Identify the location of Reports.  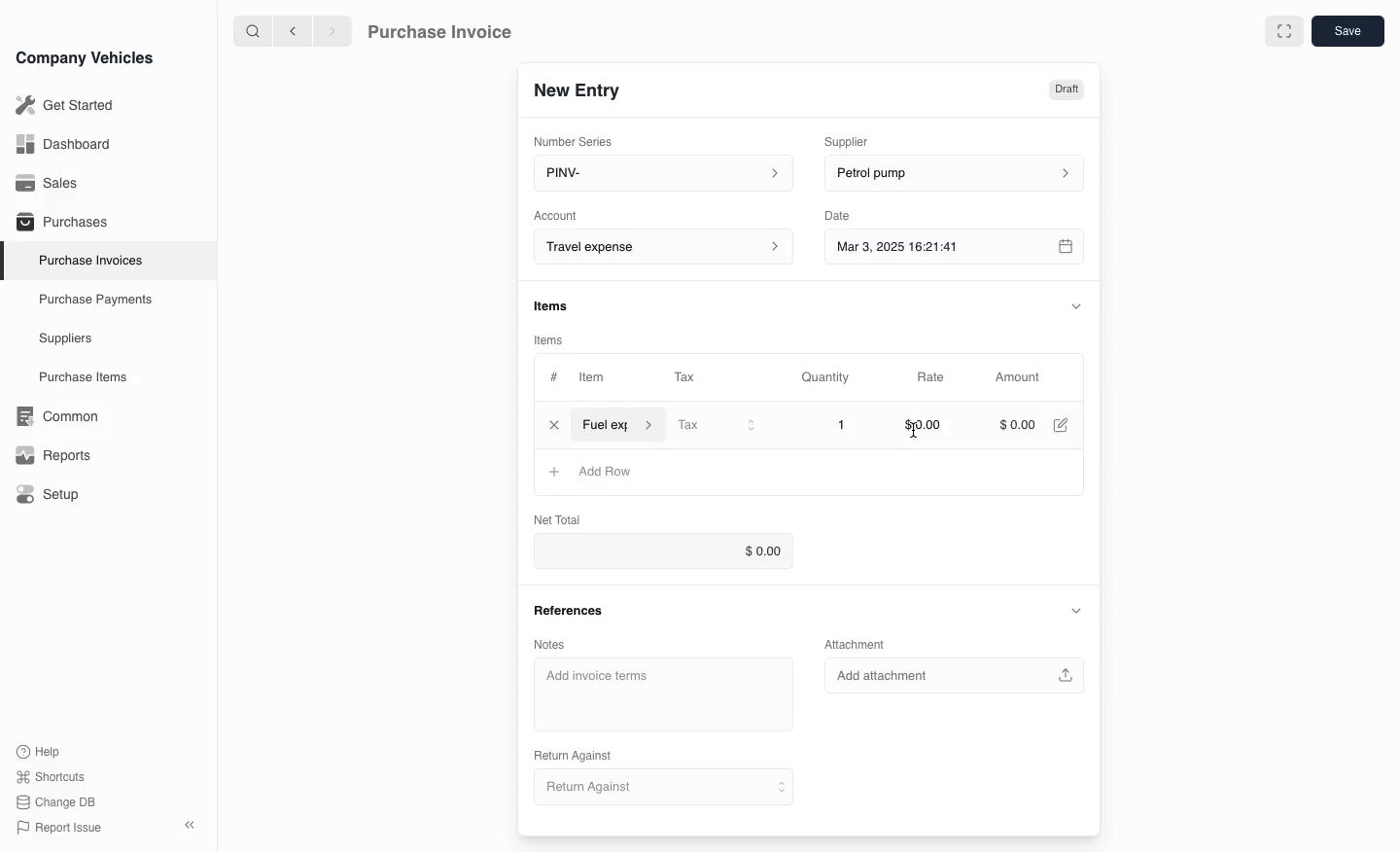
(53, 455).